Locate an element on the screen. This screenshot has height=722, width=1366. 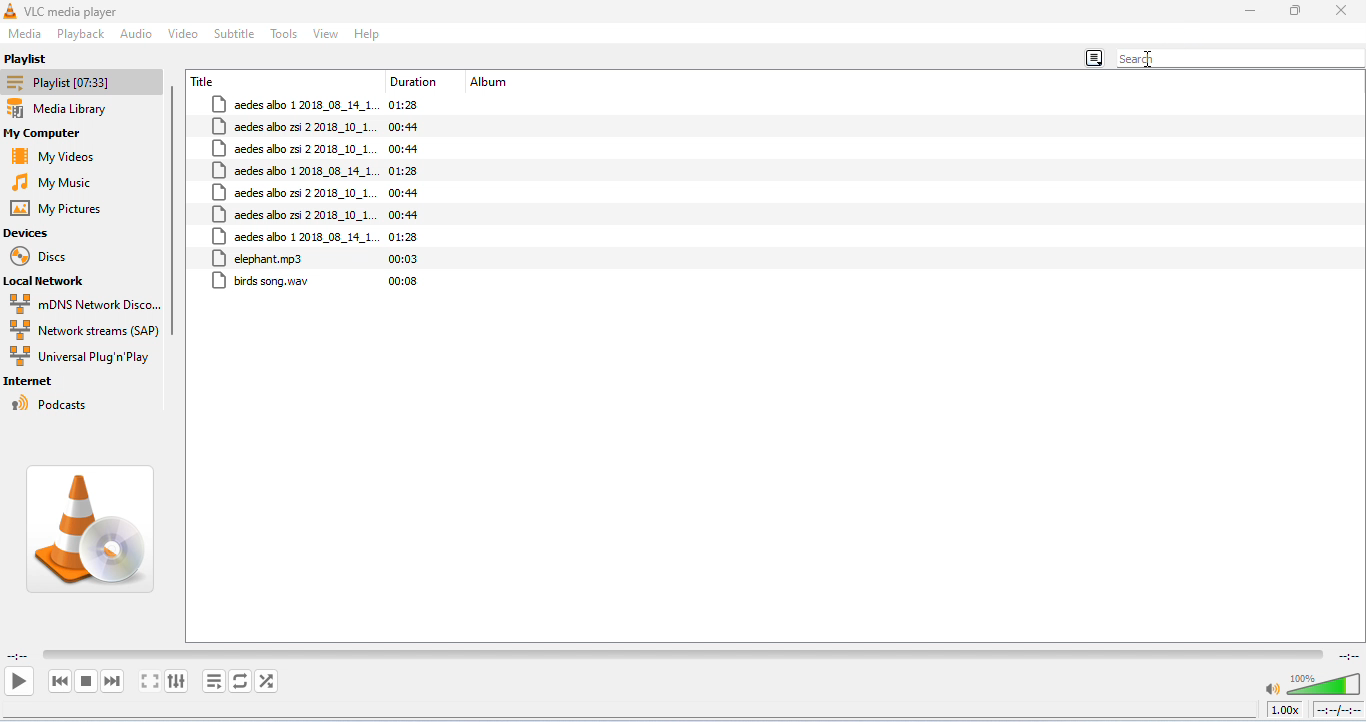
aedes albo zsi 2 2018_08_10_1 is located at coordinates (293, 214).